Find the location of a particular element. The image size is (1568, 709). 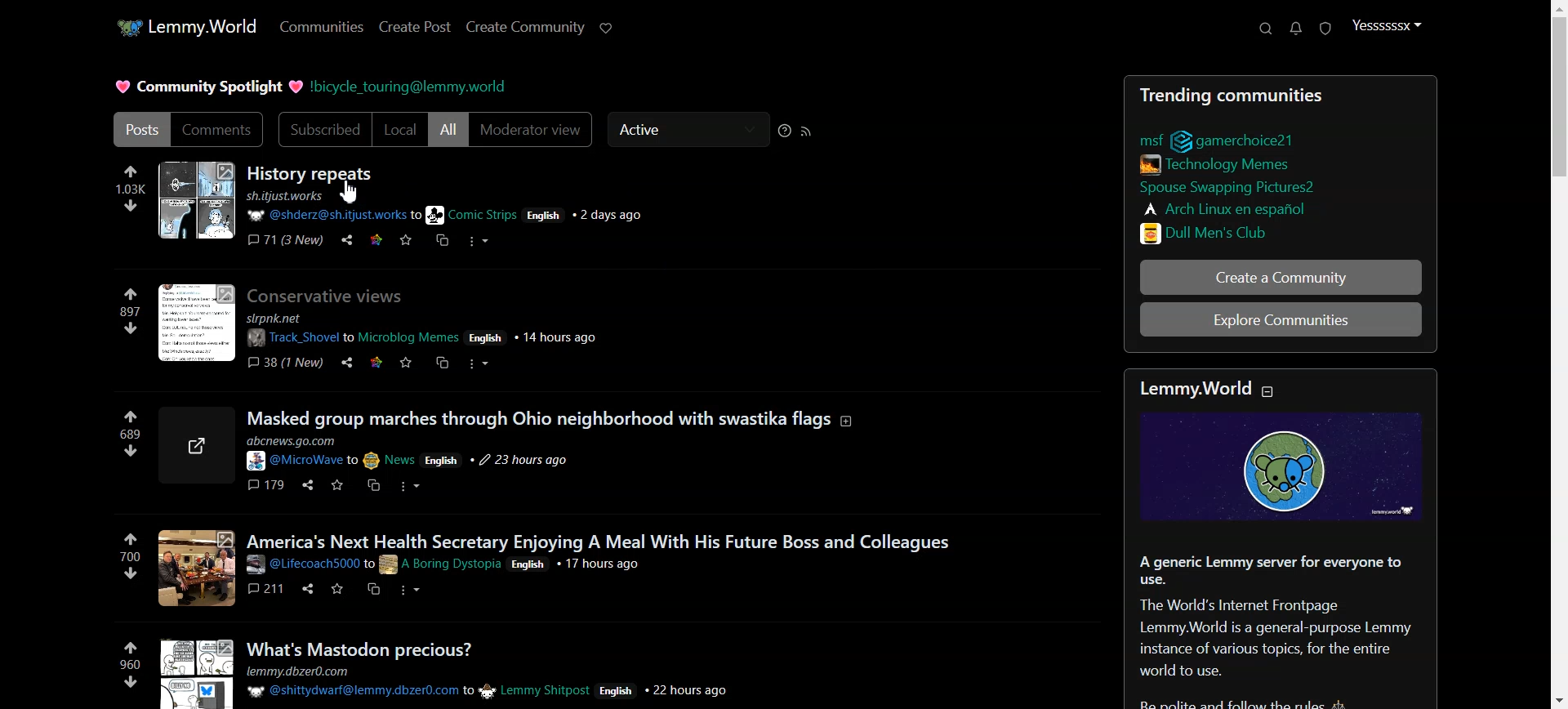

RSS is located at coordinates (806, 131).